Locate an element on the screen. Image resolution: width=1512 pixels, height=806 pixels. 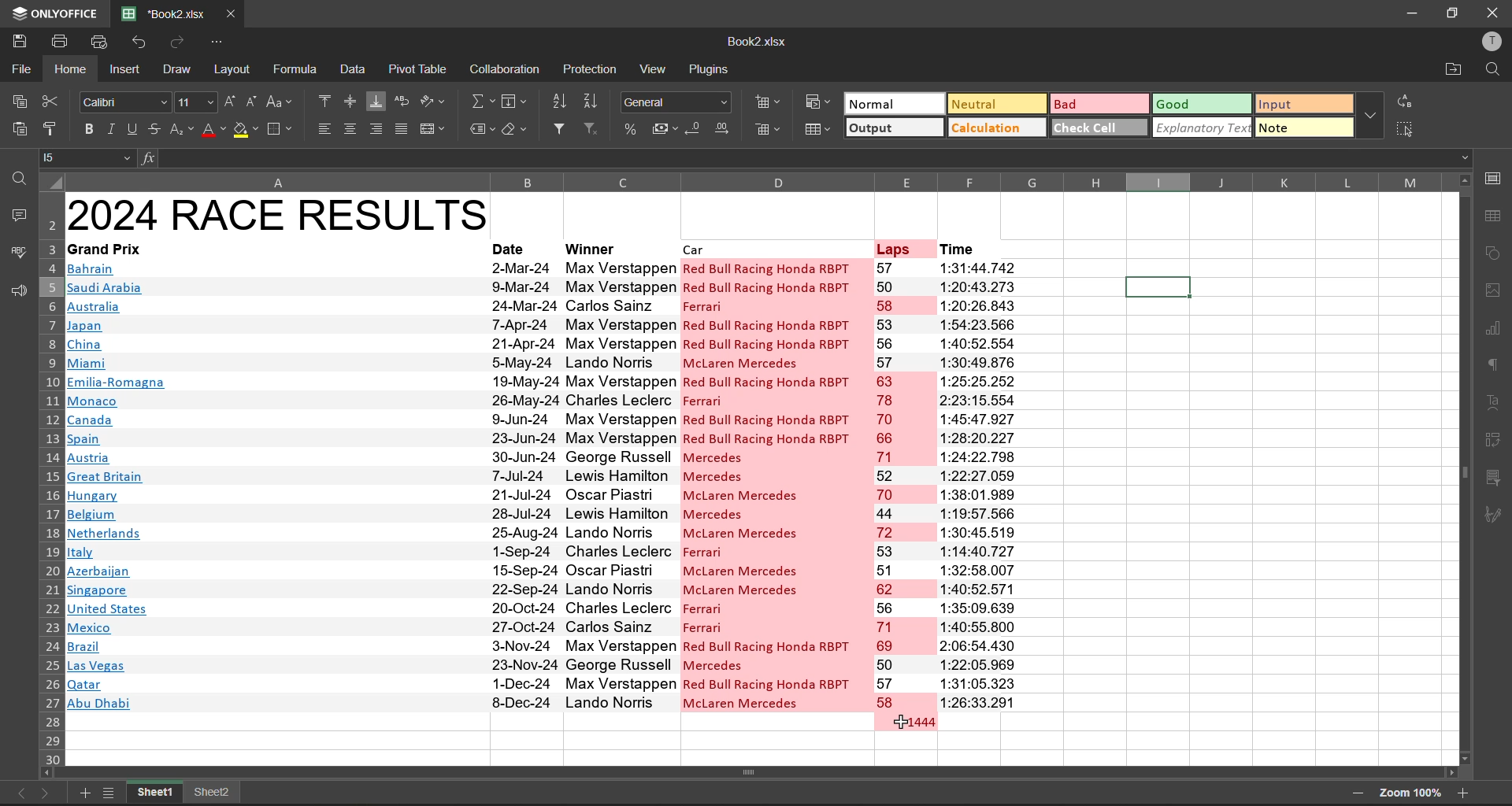
increase decimal is located at coordinates (728, 127).